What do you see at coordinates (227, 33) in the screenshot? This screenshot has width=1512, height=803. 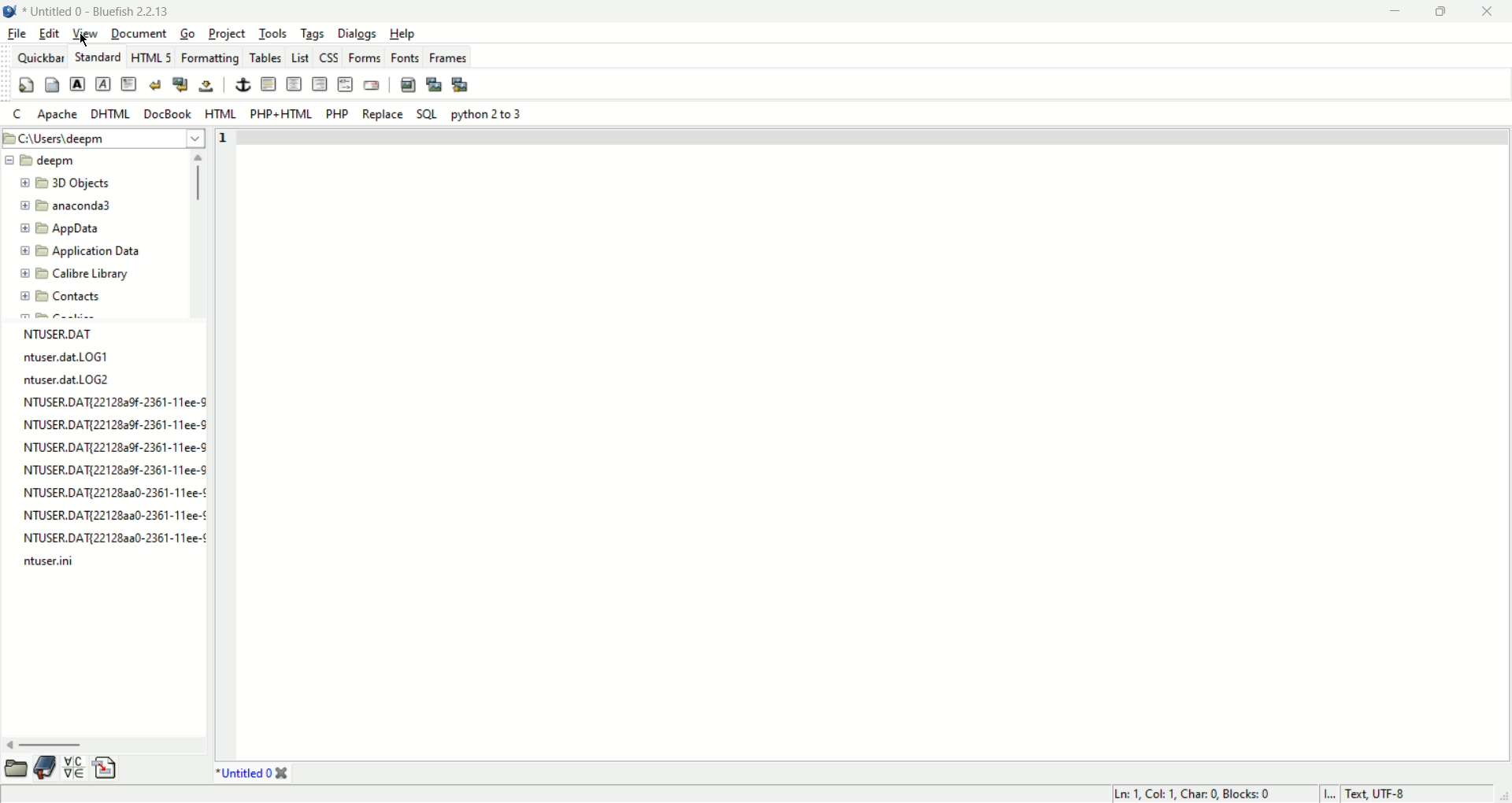 I see `project` at bounding box center [227, 33].